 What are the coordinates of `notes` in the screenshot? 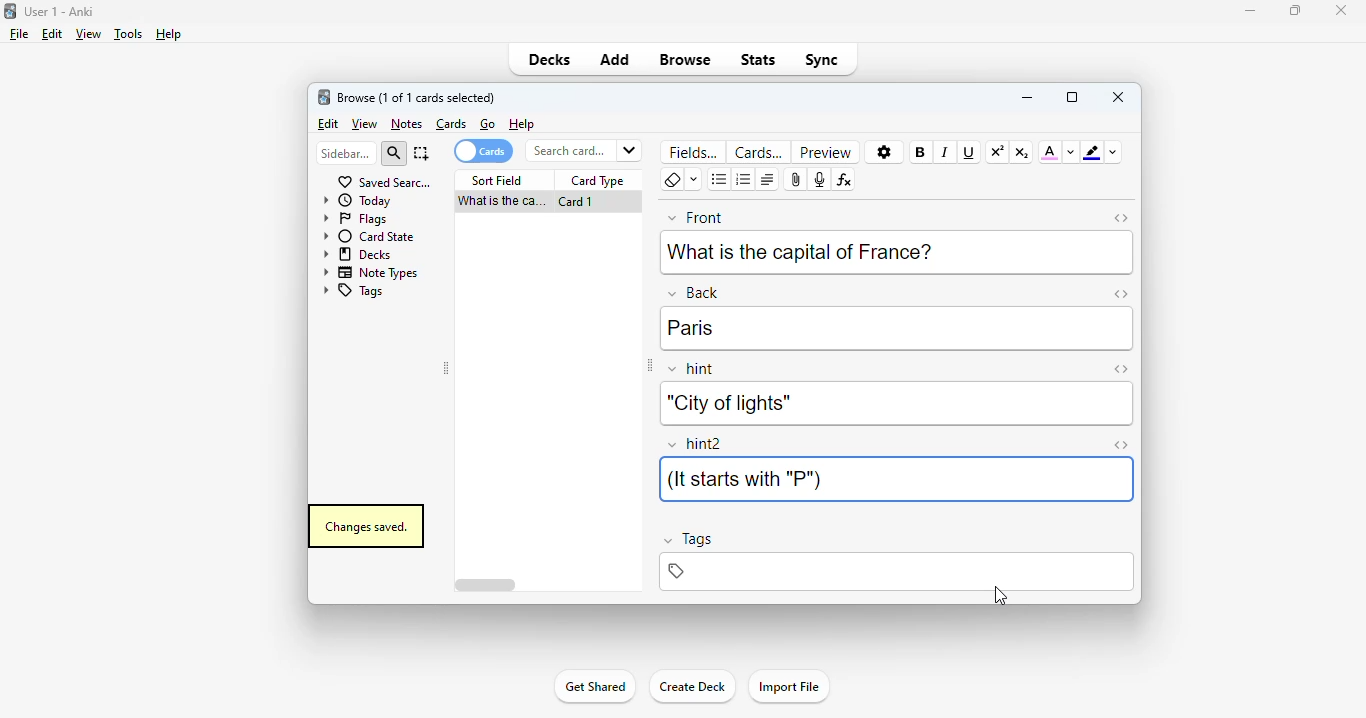 It's located at (406, 124).